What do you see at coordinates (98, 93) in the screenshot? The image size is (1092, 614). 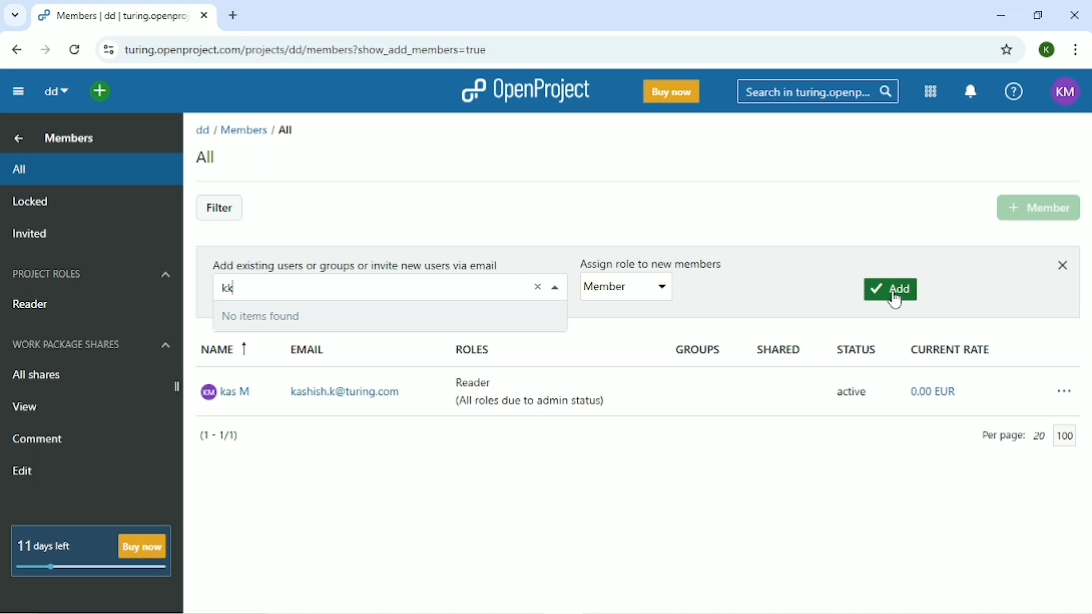 I see `Open quick add me` at bounding box center [98, 93].